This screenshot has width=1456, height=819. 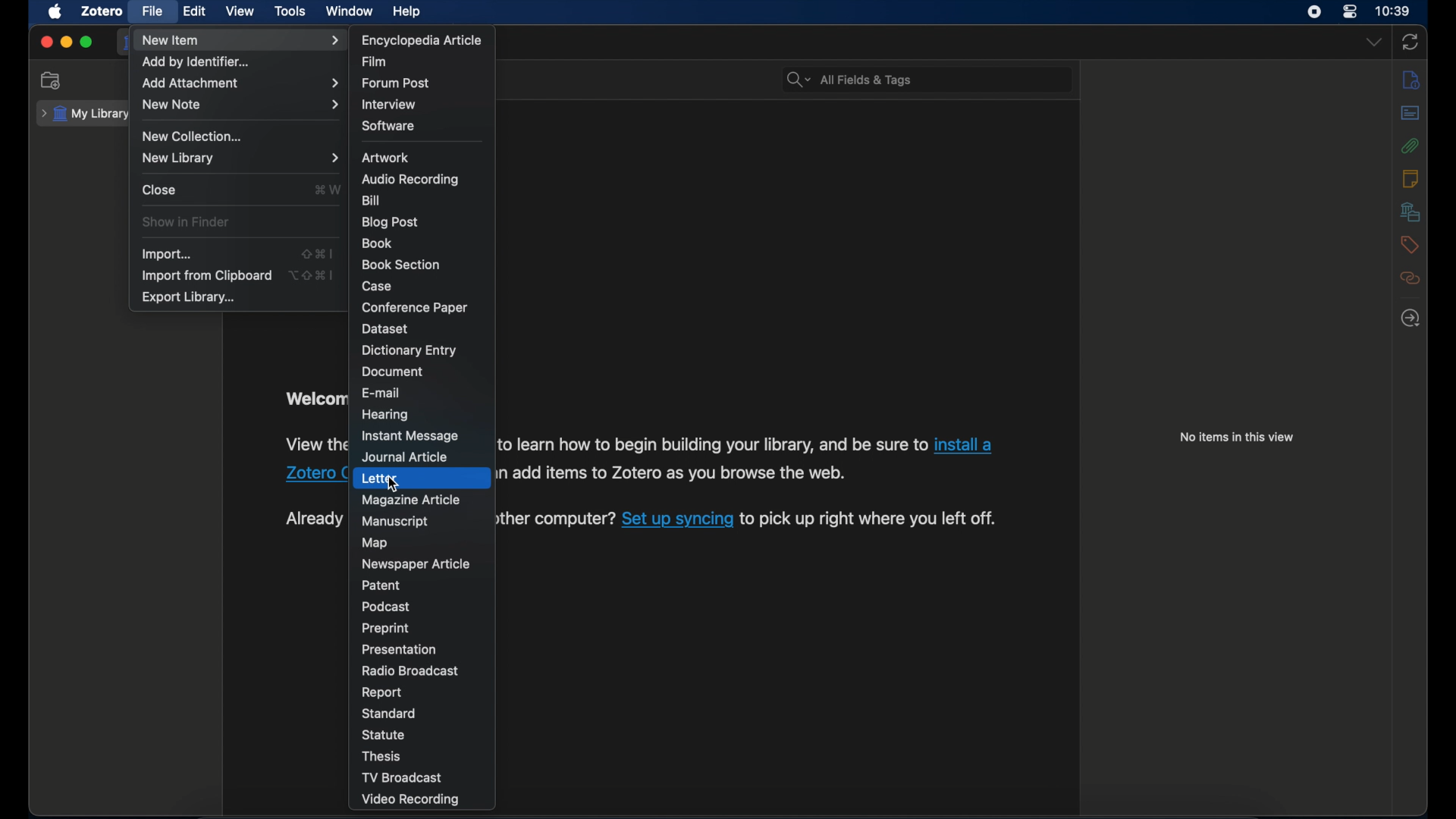 What do you see at coordinates (190, 297) in the screenshot?
I see `export library` at bounding box center [190, 297].